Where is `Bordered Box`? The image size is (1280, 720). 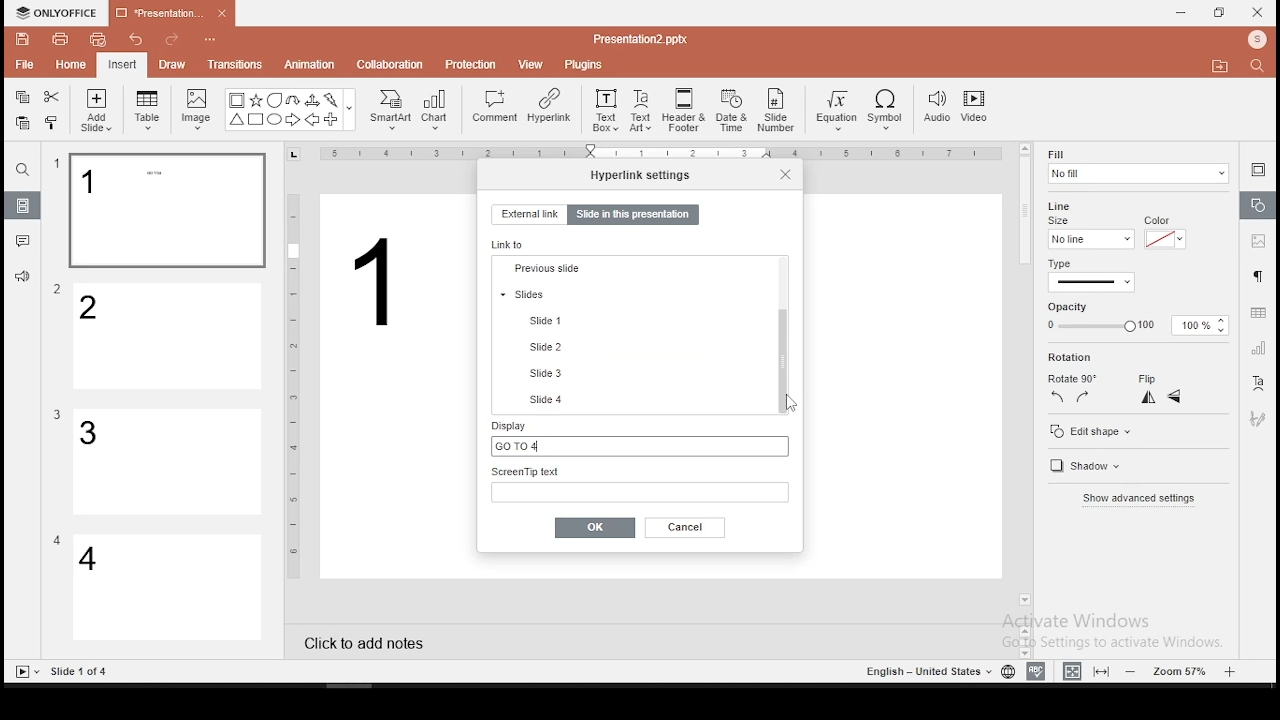 Bordered Box is located at coordinates (237, 100).